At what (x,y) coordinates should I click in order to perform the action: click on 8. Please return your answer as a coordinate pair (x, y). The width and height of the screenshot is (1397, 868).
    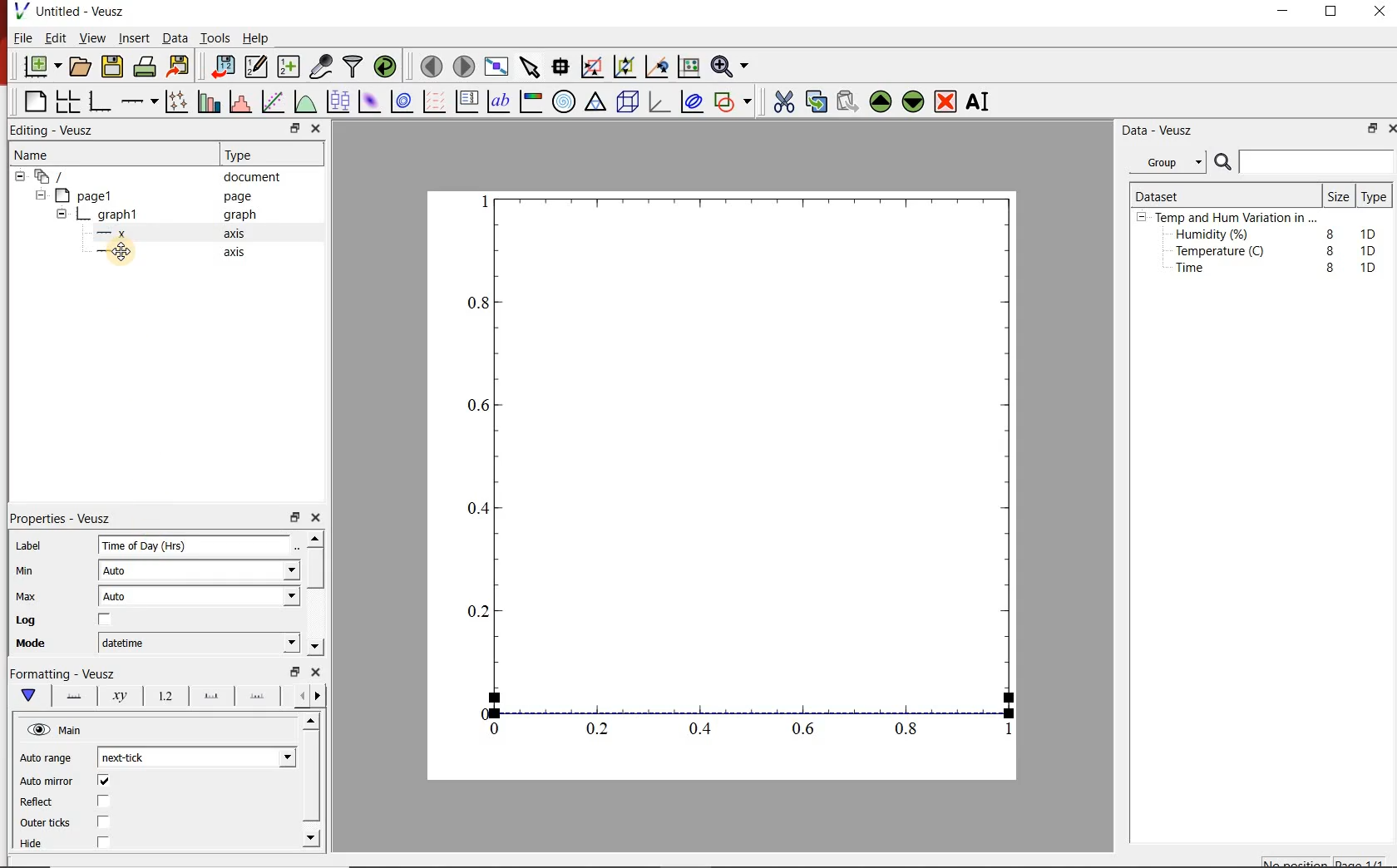
    Looking at the image, I should click on (1330, 268).